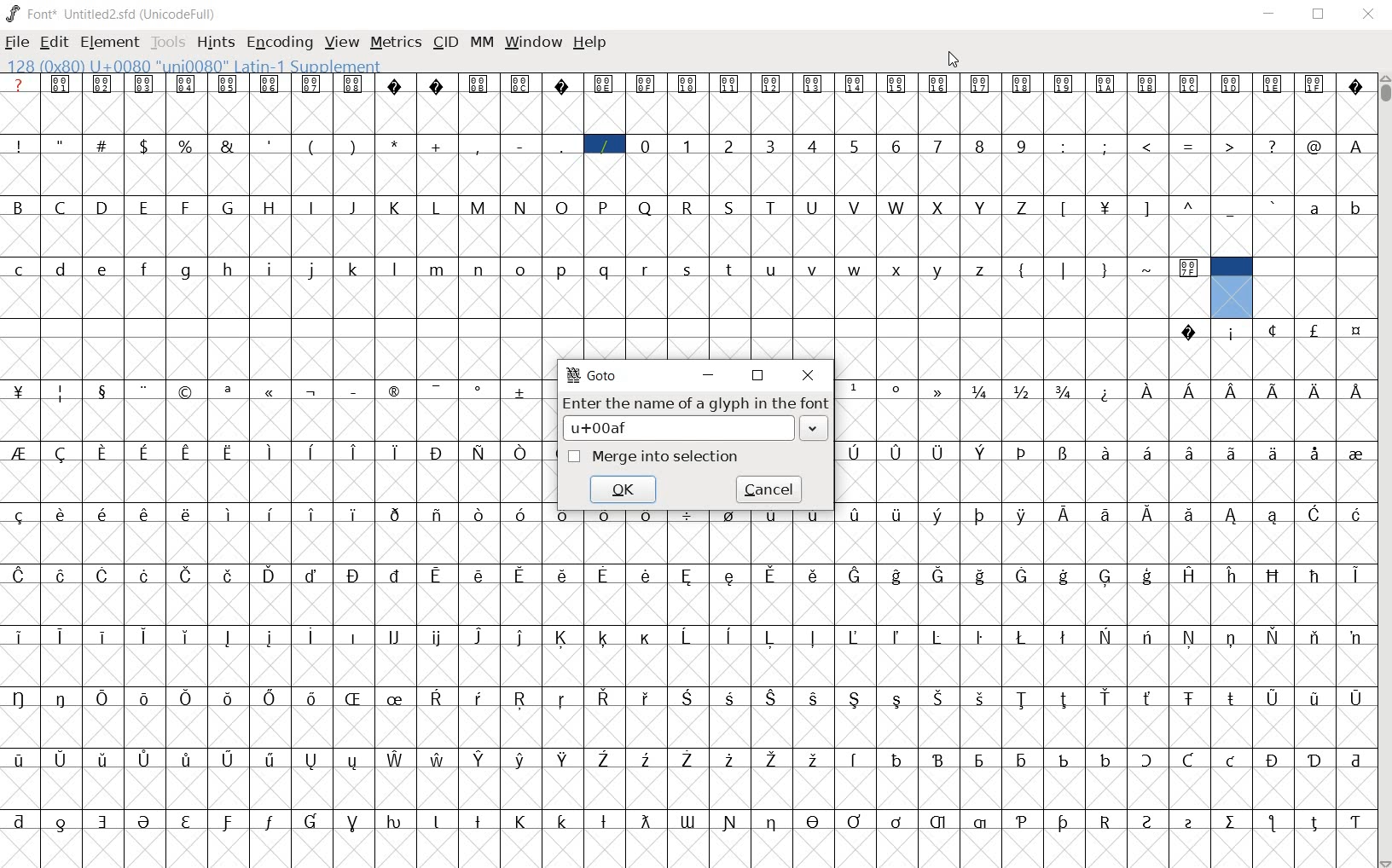 Image resolution: width=1392 pixels, height=868 pixels. I want to click on %, so click(187, 144).